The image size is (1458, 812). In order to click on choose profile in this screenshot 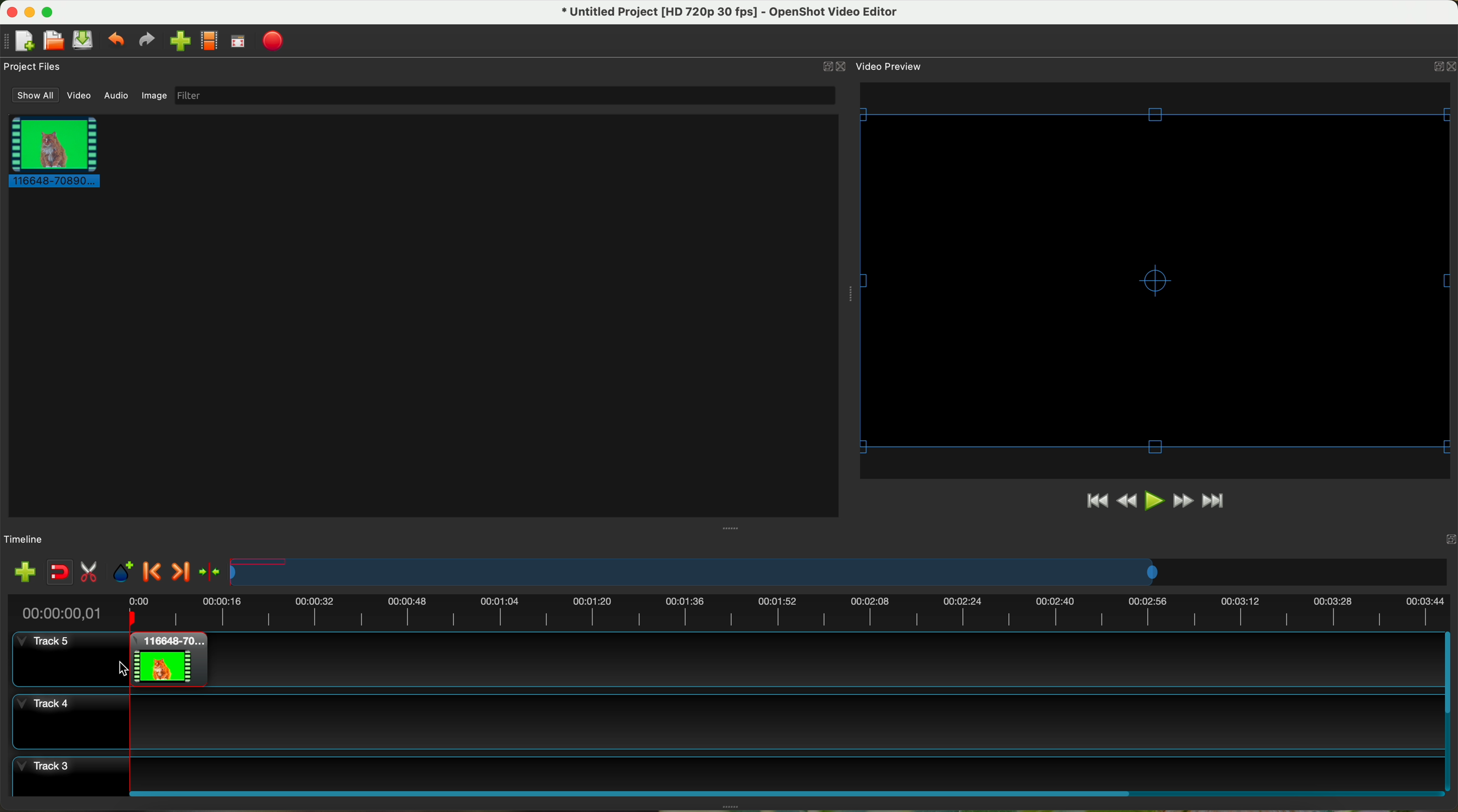, I will do `click(209, 41)`.